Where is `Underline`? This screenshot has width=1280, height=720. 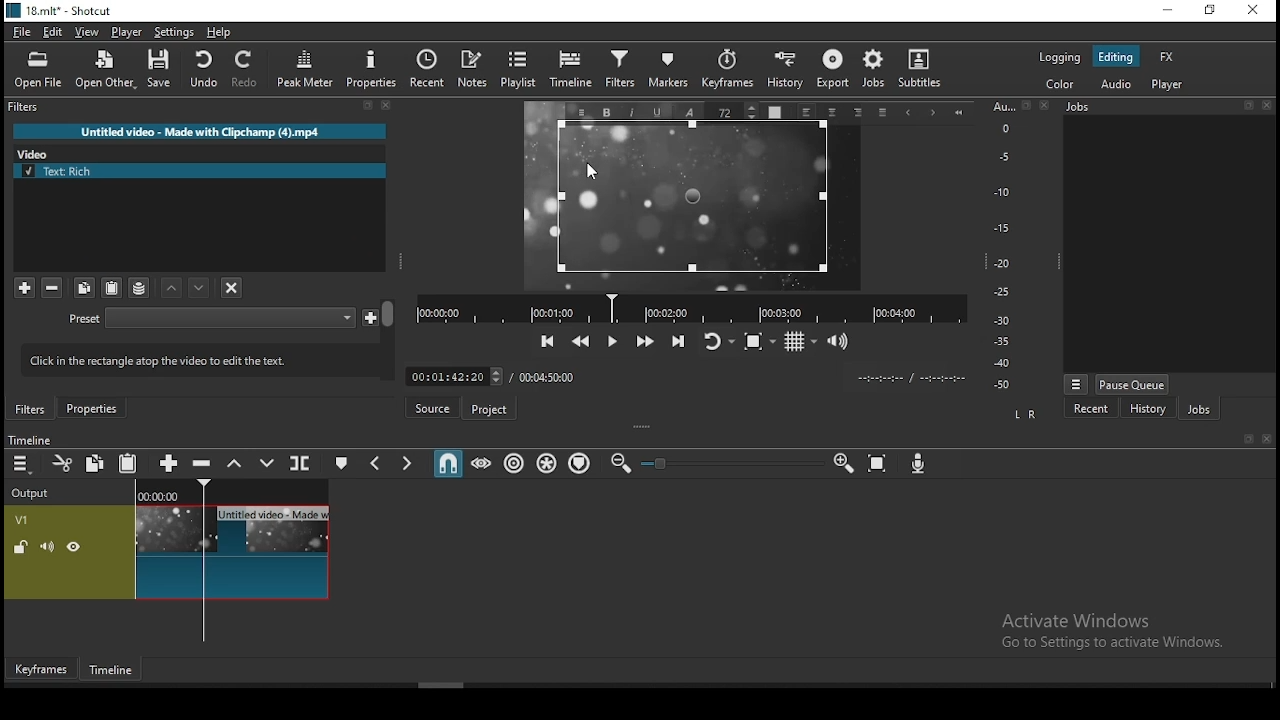
Underline is located at coordinates (657, 112).